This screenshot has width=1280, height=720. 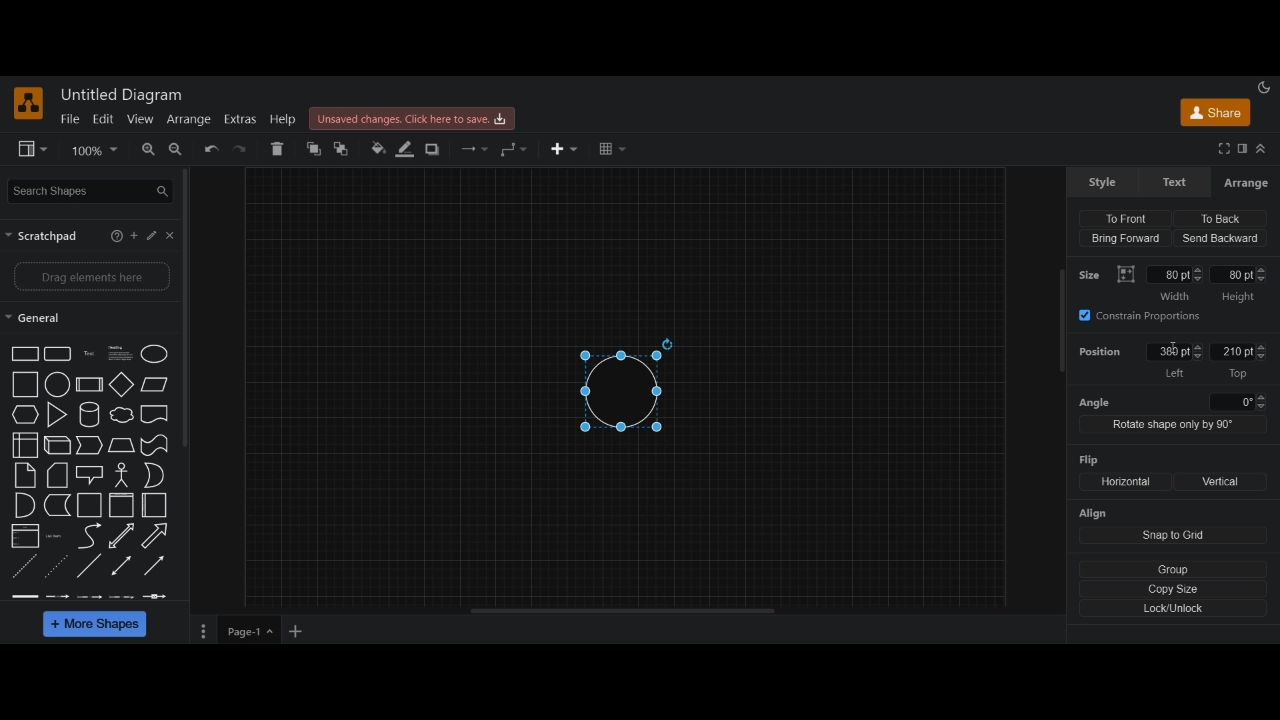 What do you see at coordinates (125, 95) in the screenshot?
I see `title` at bounding box center [125, 95].